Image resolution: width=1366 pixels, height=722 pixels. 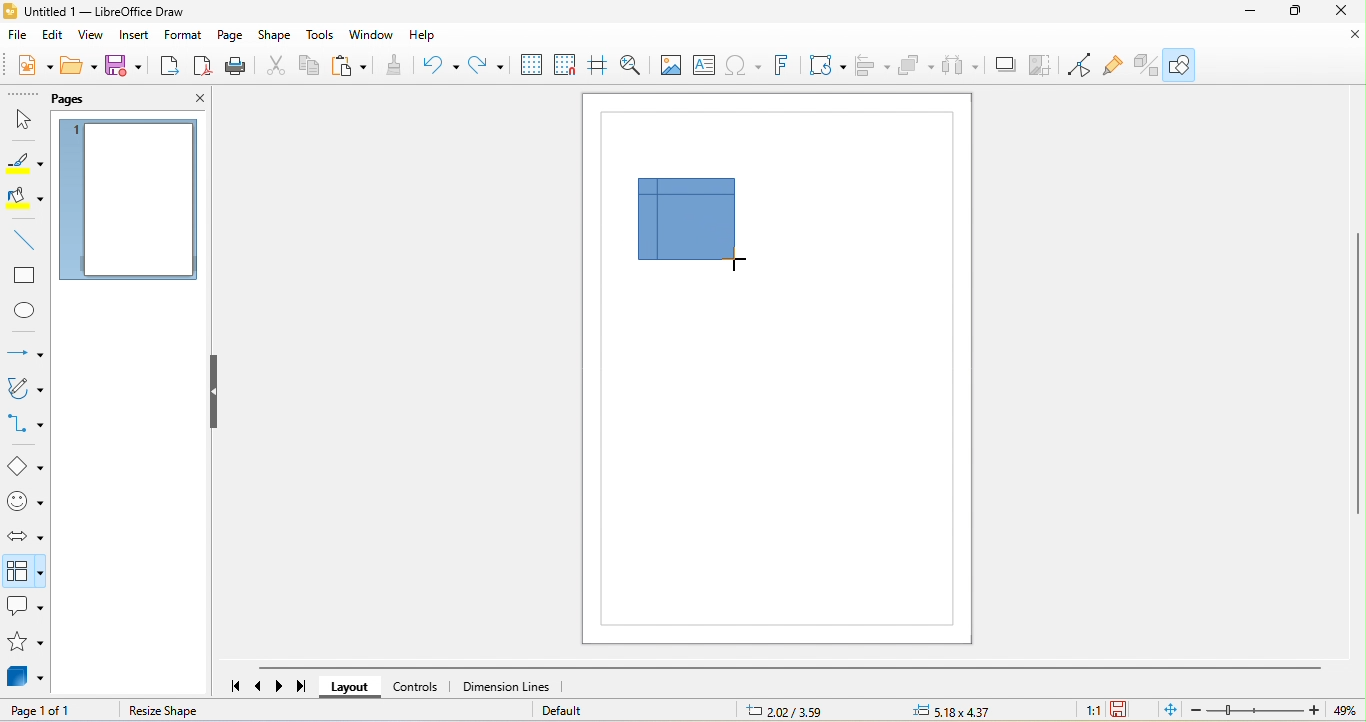 I want to click on star and banners, so click(x=27, y=644).